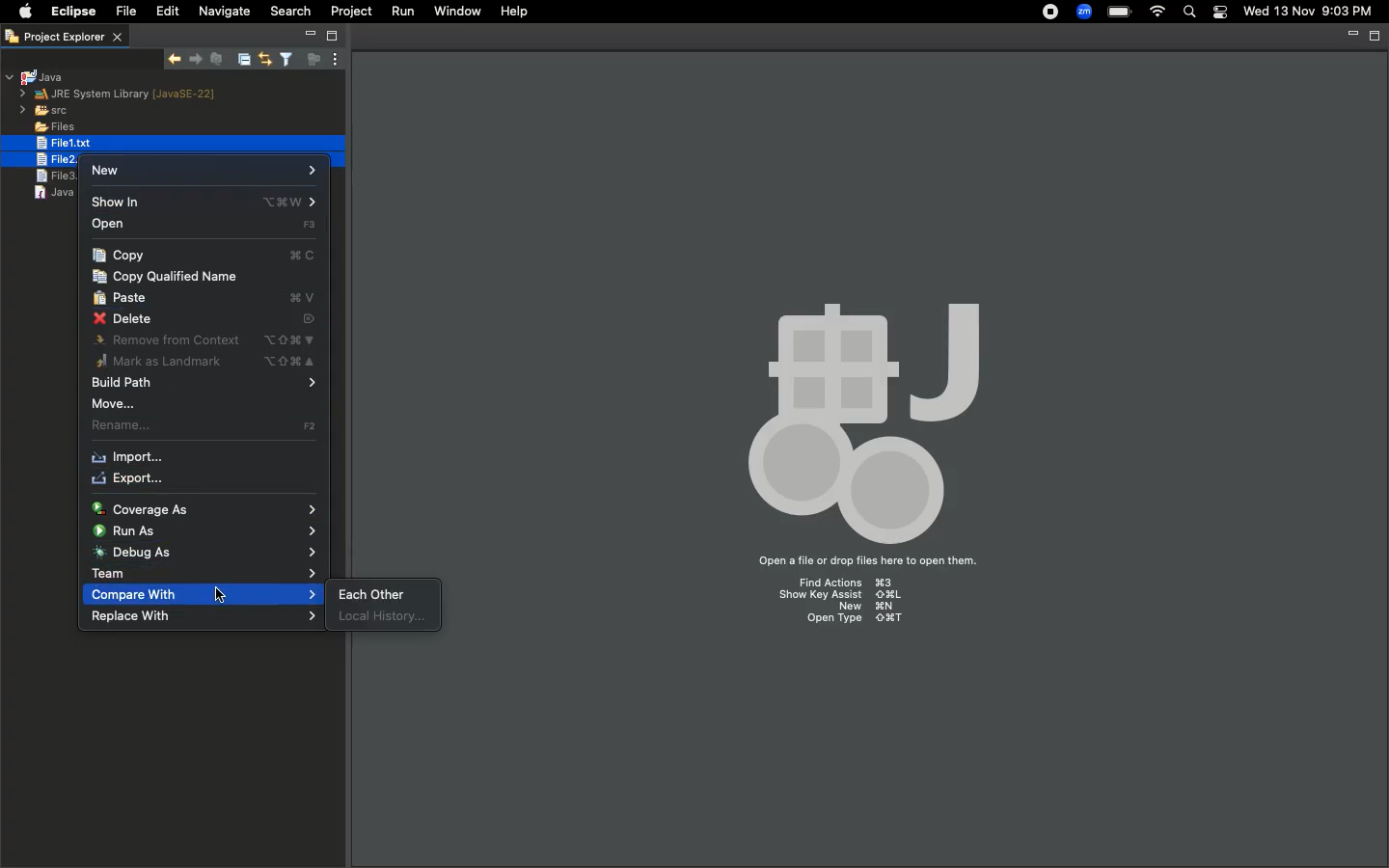  What do you see at coordinates (207, 318) in the screenshot?
I see `Delete` at bounding box center [207, 318].